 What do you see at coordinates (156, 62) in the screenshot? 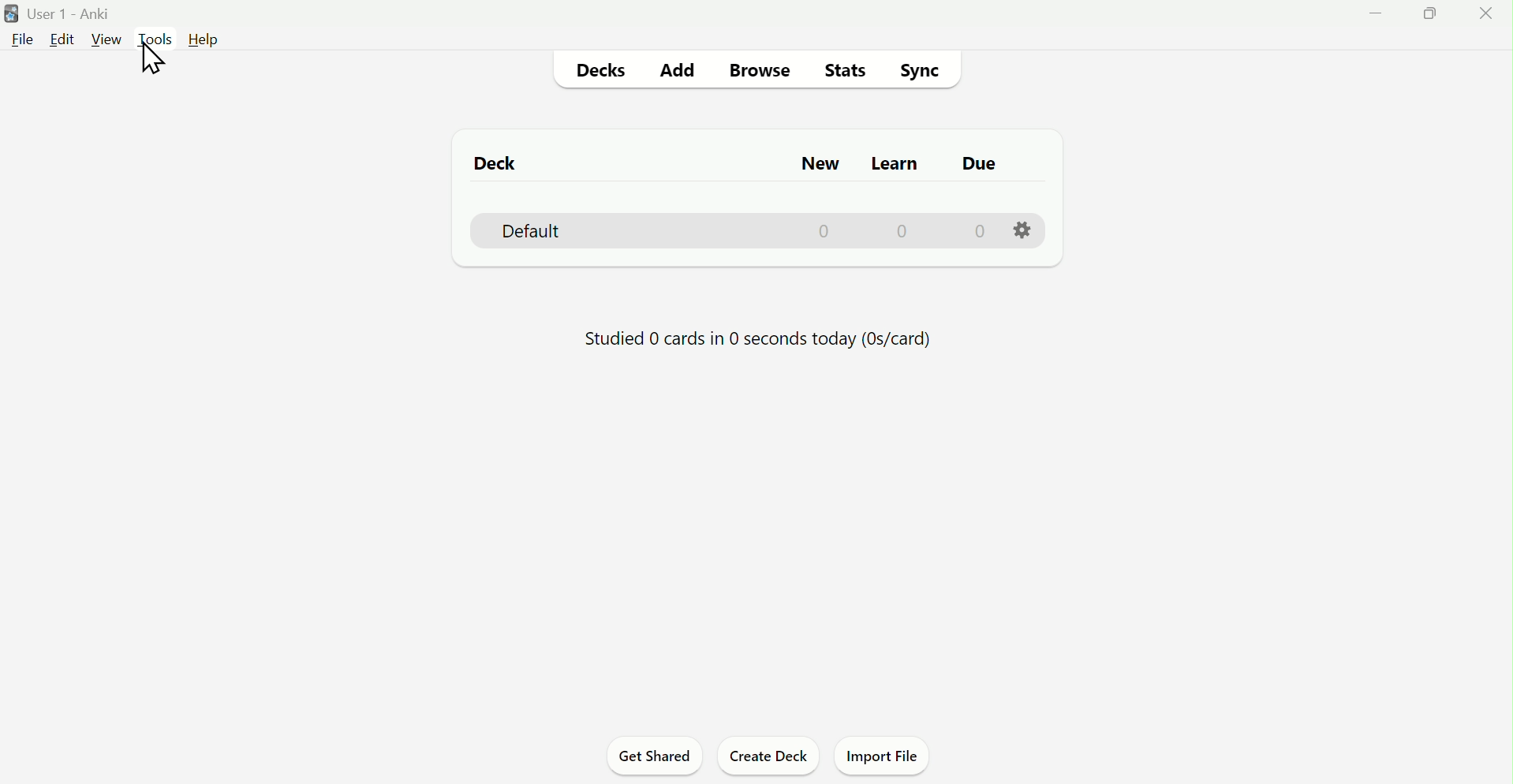
I see `cursor on Tools` at bounding box center [156, 62].